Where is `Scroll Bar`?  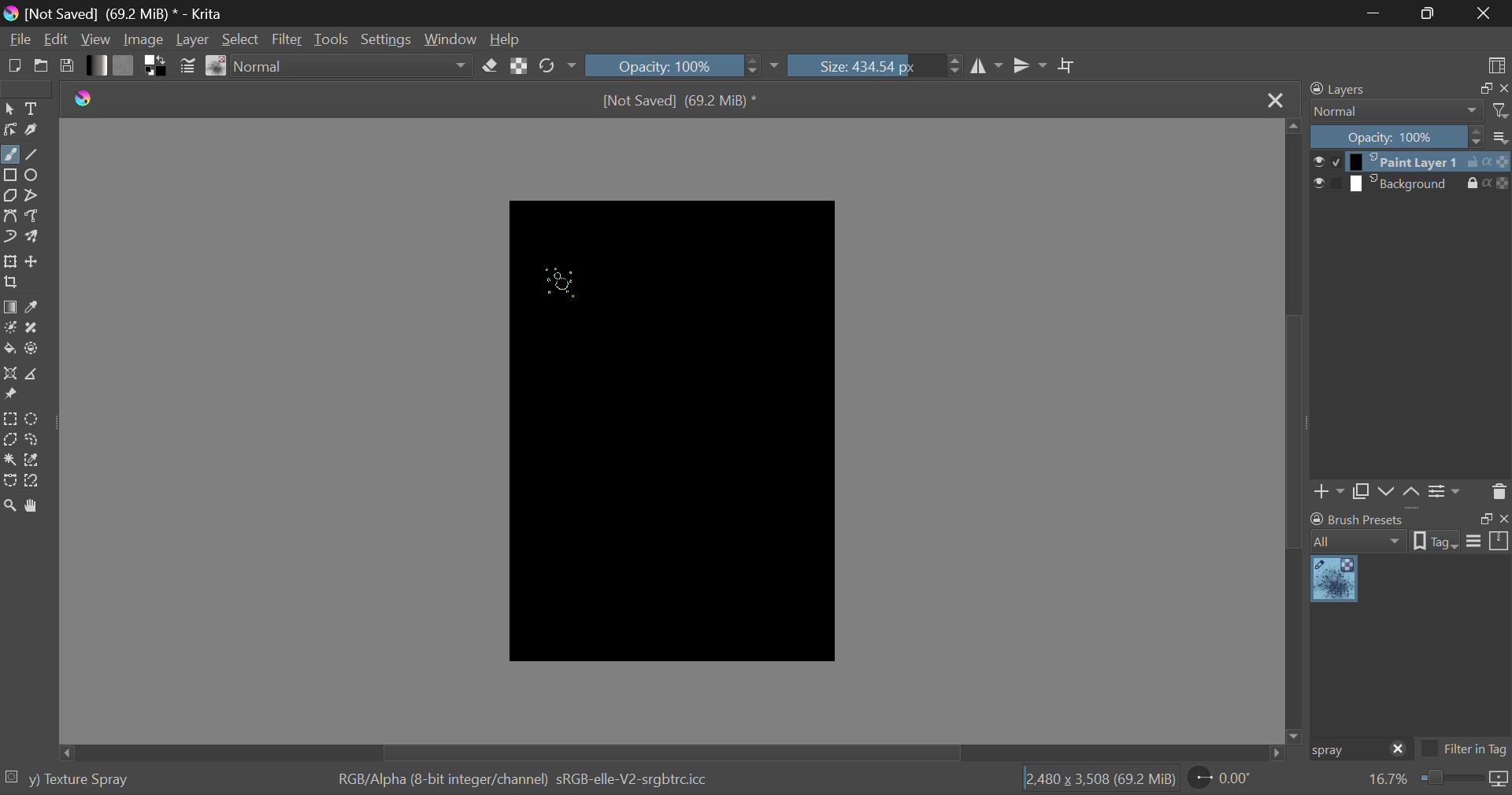
Scroll Bar is located at coordinates (676, 752).